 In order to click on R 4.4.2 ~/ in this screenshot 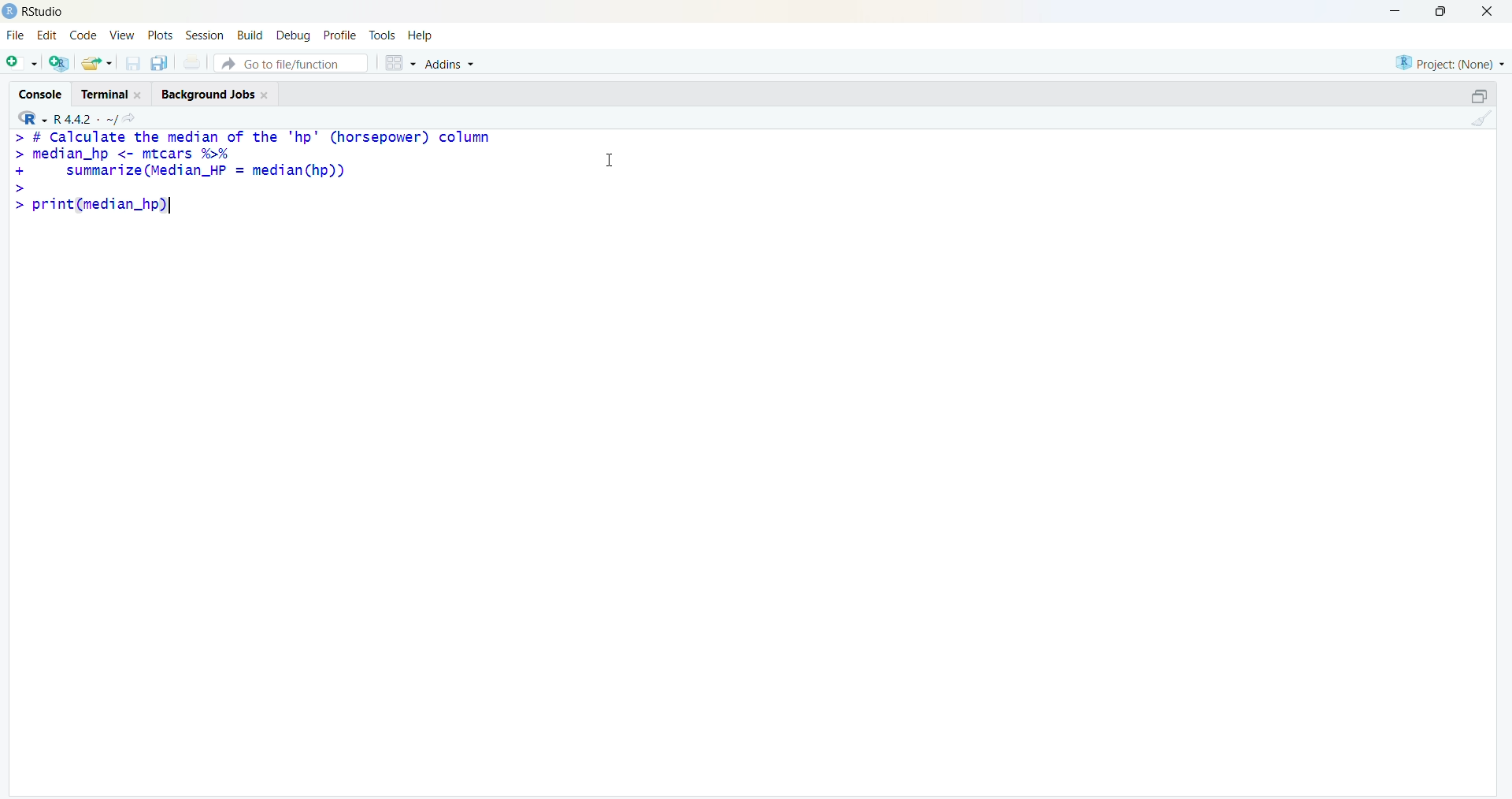, I will do `click(87, 119)`.